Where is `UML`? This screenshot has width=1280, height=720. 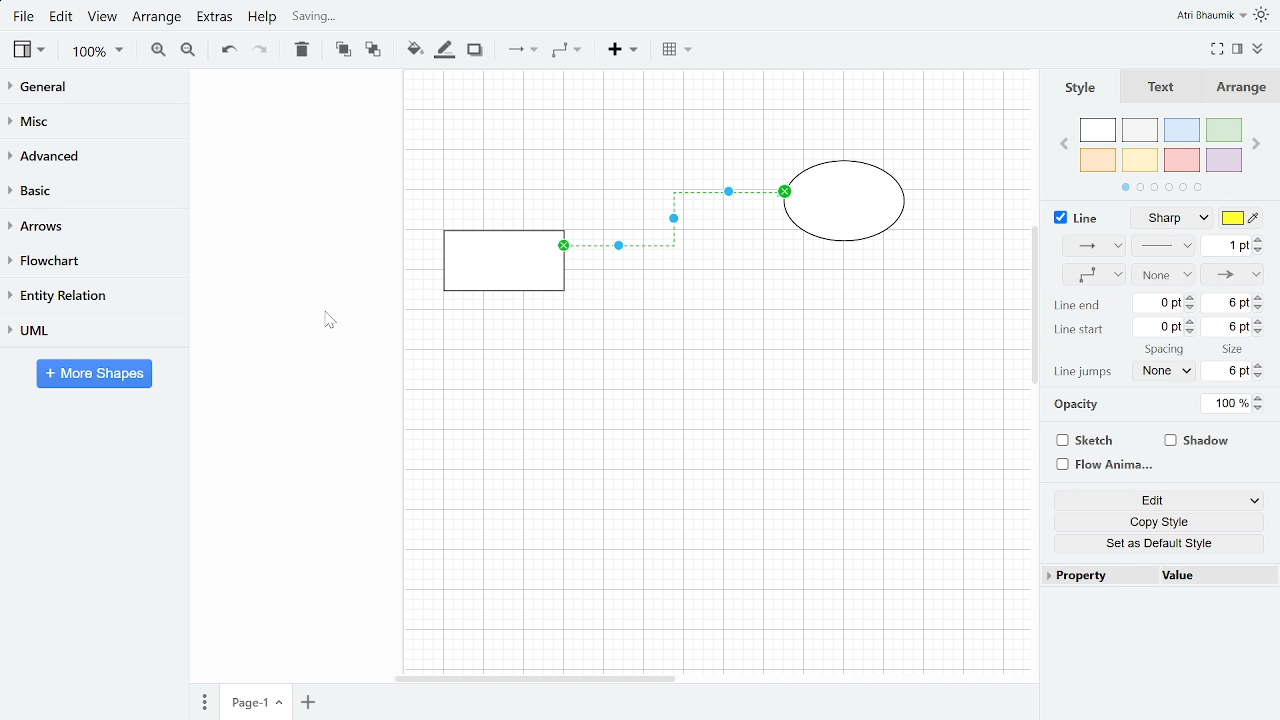 UML is located at coordinates (90, 330).